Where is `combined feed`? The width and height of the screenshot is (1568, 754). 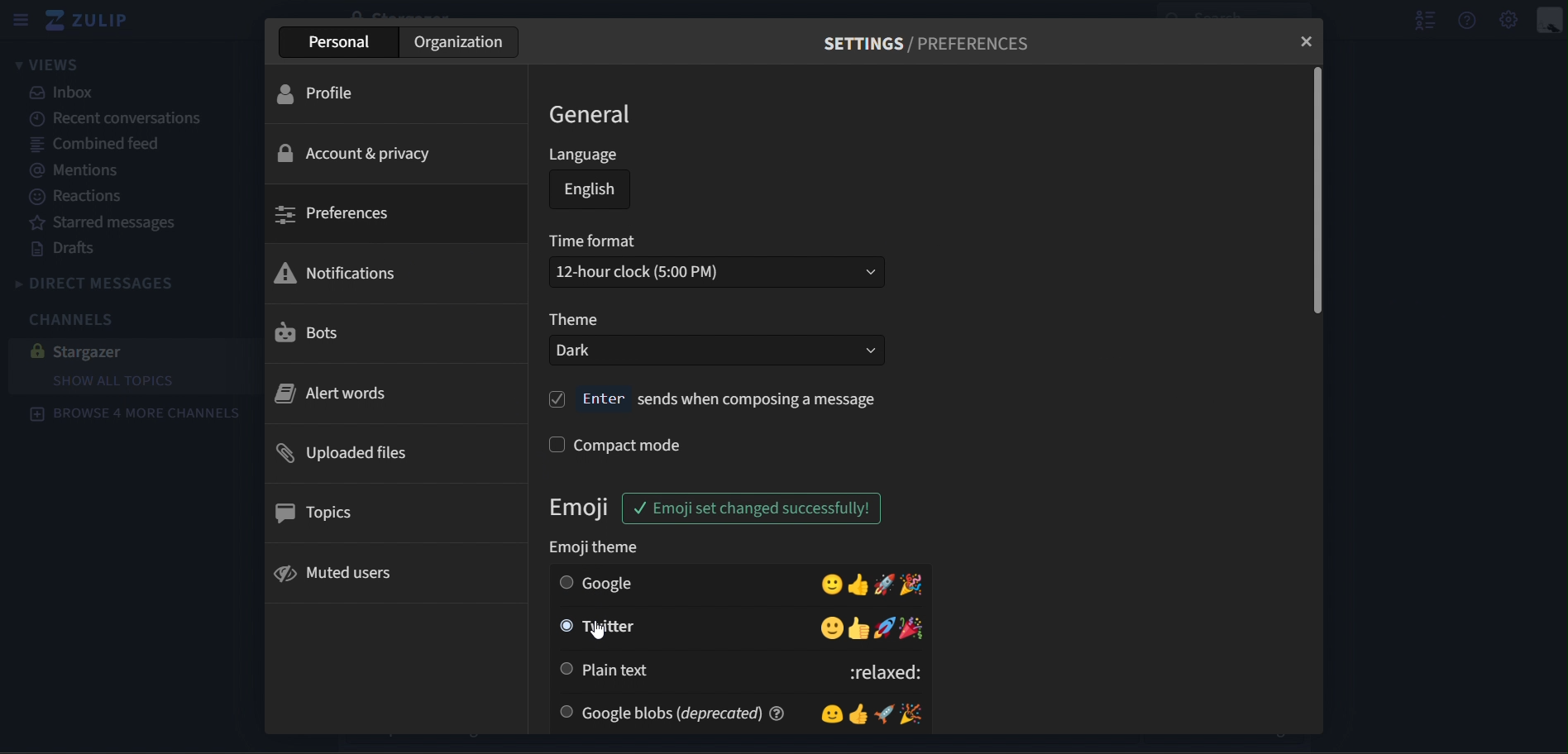
combined feed is located at coordinates (98, 146).